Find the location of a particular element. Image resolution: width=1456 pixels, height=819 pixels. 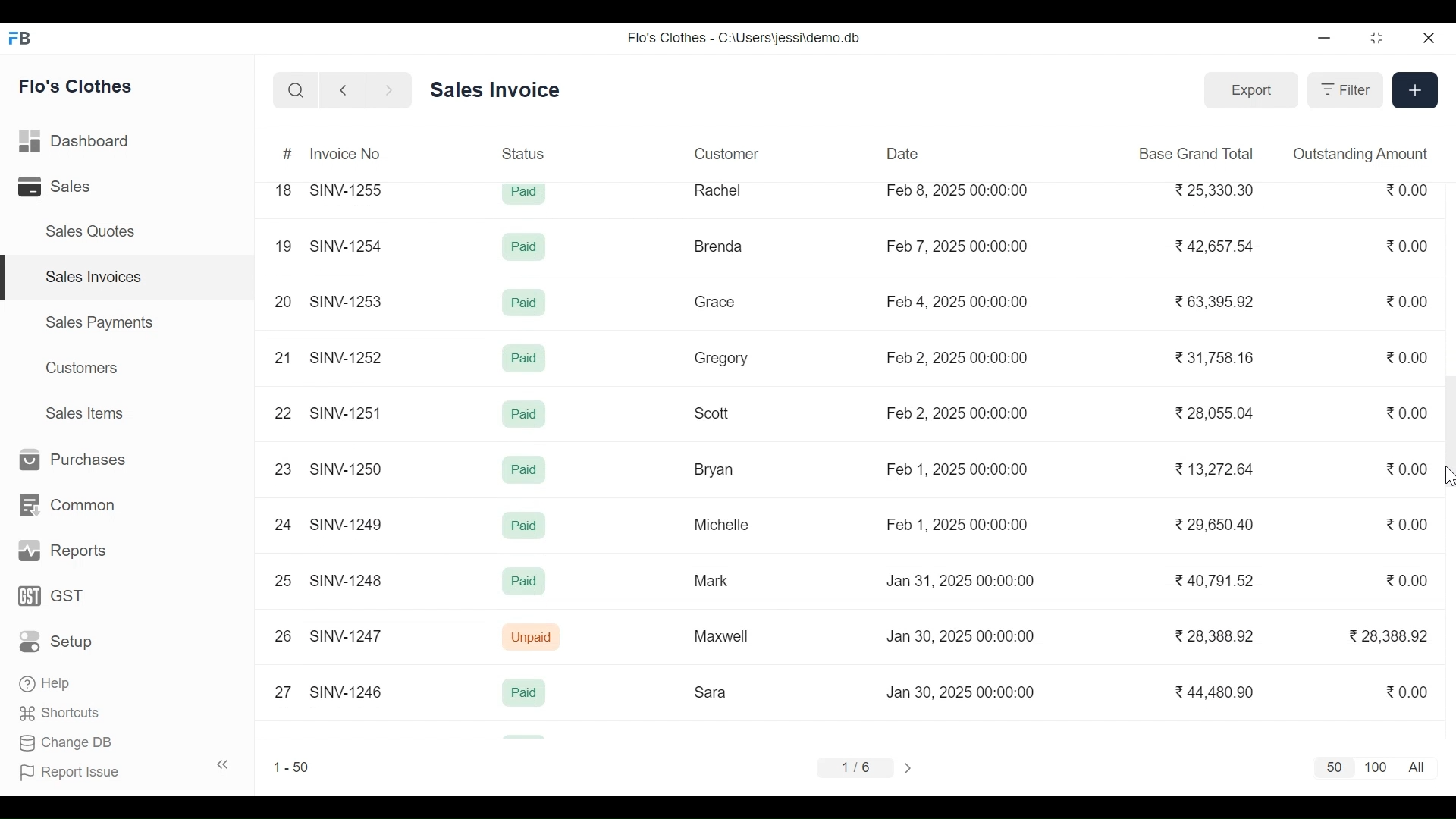

Sales Payments is located at coordinates (100, 322).